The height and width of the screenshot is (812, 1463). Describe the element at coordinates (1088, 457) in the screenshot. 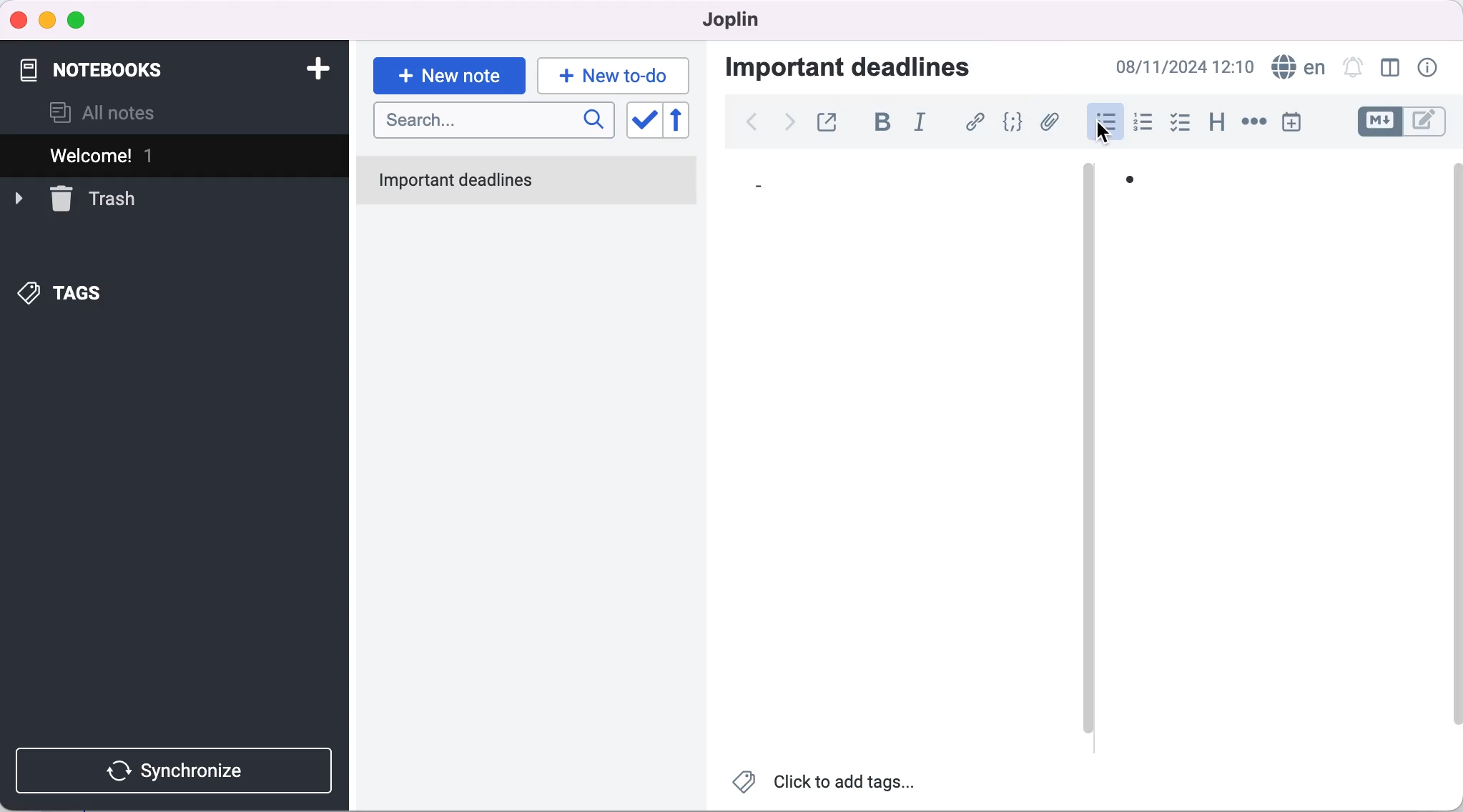

I see `vertical slider` at that location.